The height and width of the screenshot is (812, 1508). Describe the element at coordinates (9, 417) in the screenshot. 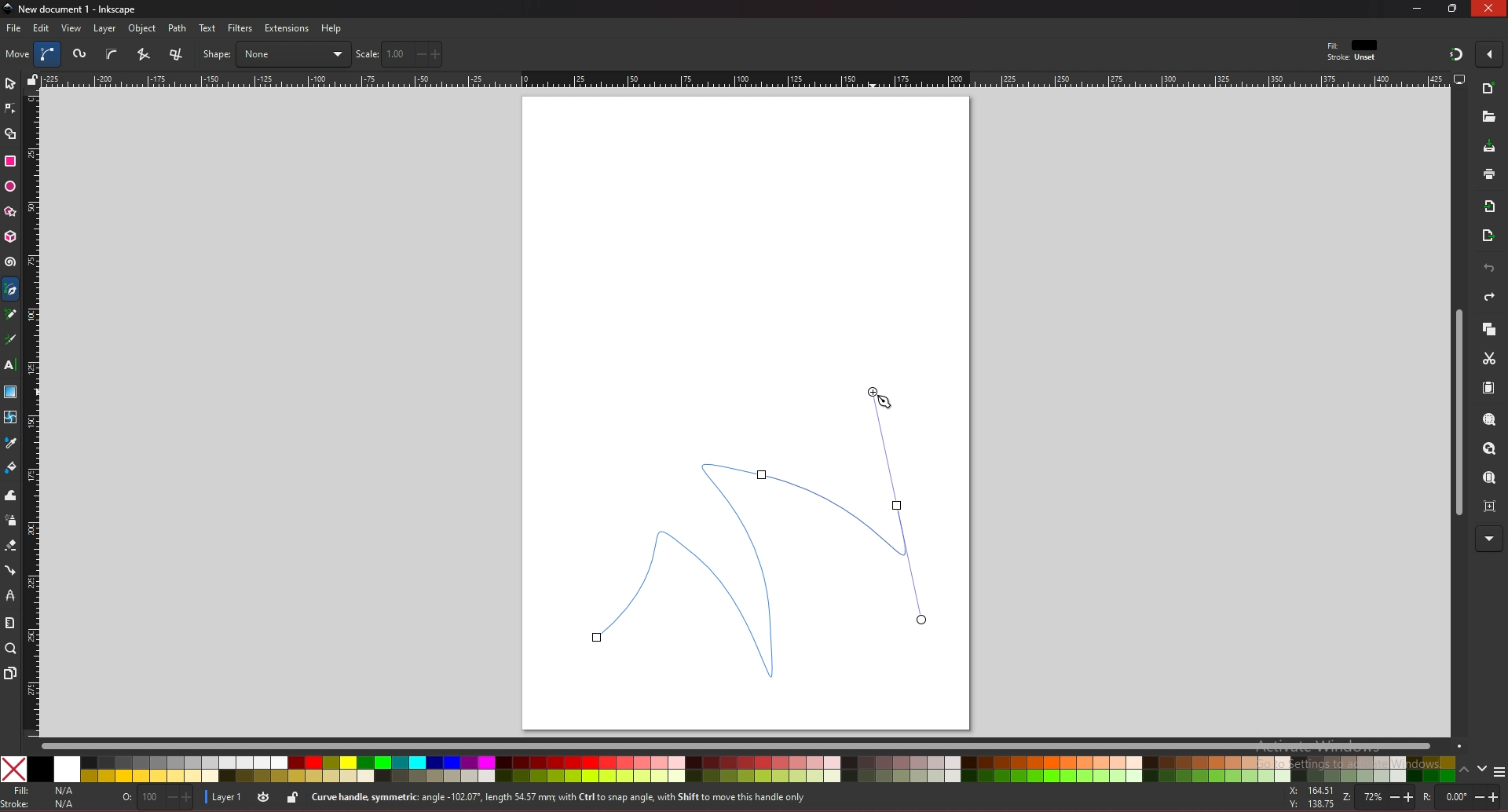

I see `mesh` at that location.